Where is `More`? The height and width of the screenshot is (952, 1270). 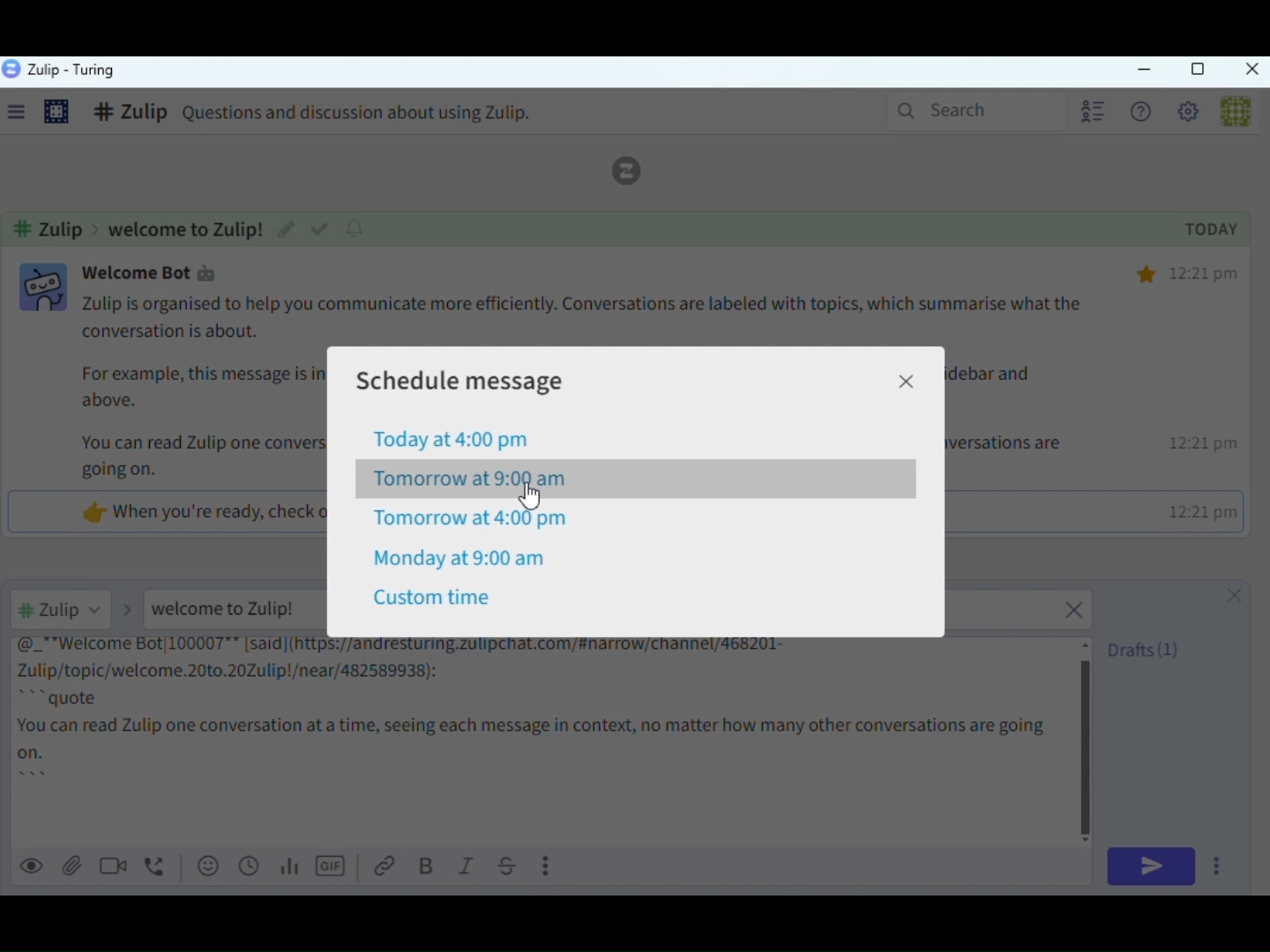 More is located at coordinates (549, 865).